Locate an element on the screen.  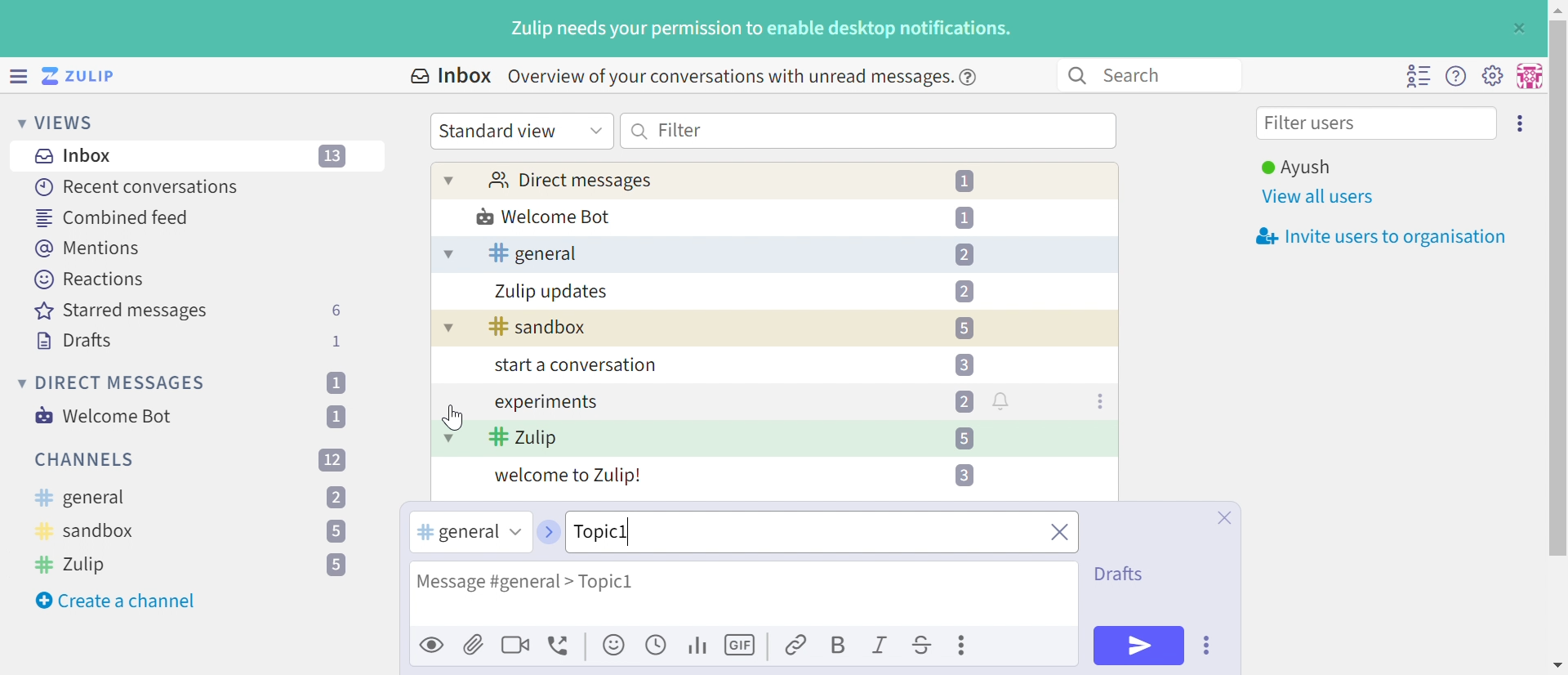
Close is located at coordinates (1223, 518).